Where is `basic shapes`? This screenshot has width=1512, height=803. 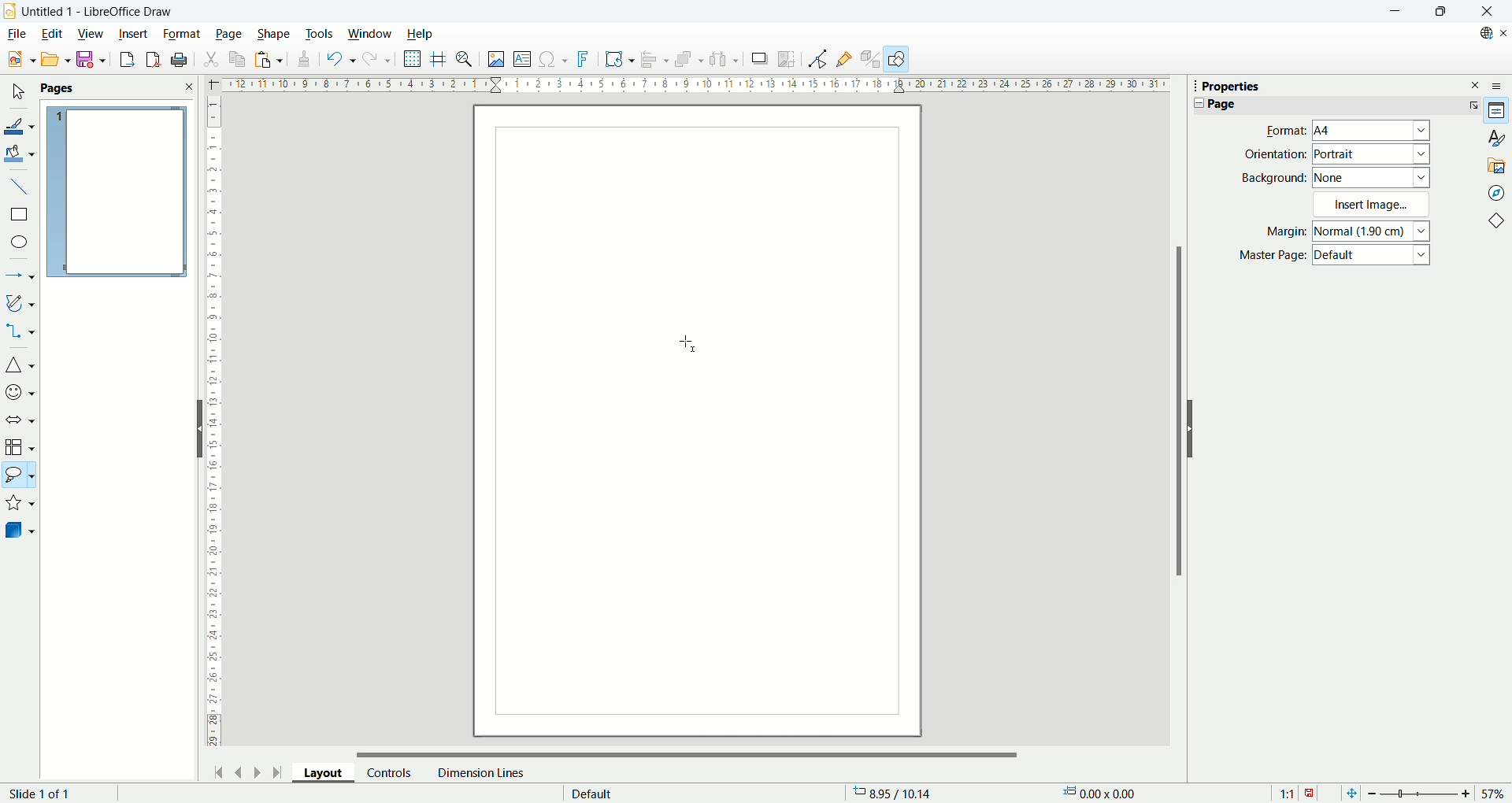 basic shapes is located at coordinates (1499, 223).